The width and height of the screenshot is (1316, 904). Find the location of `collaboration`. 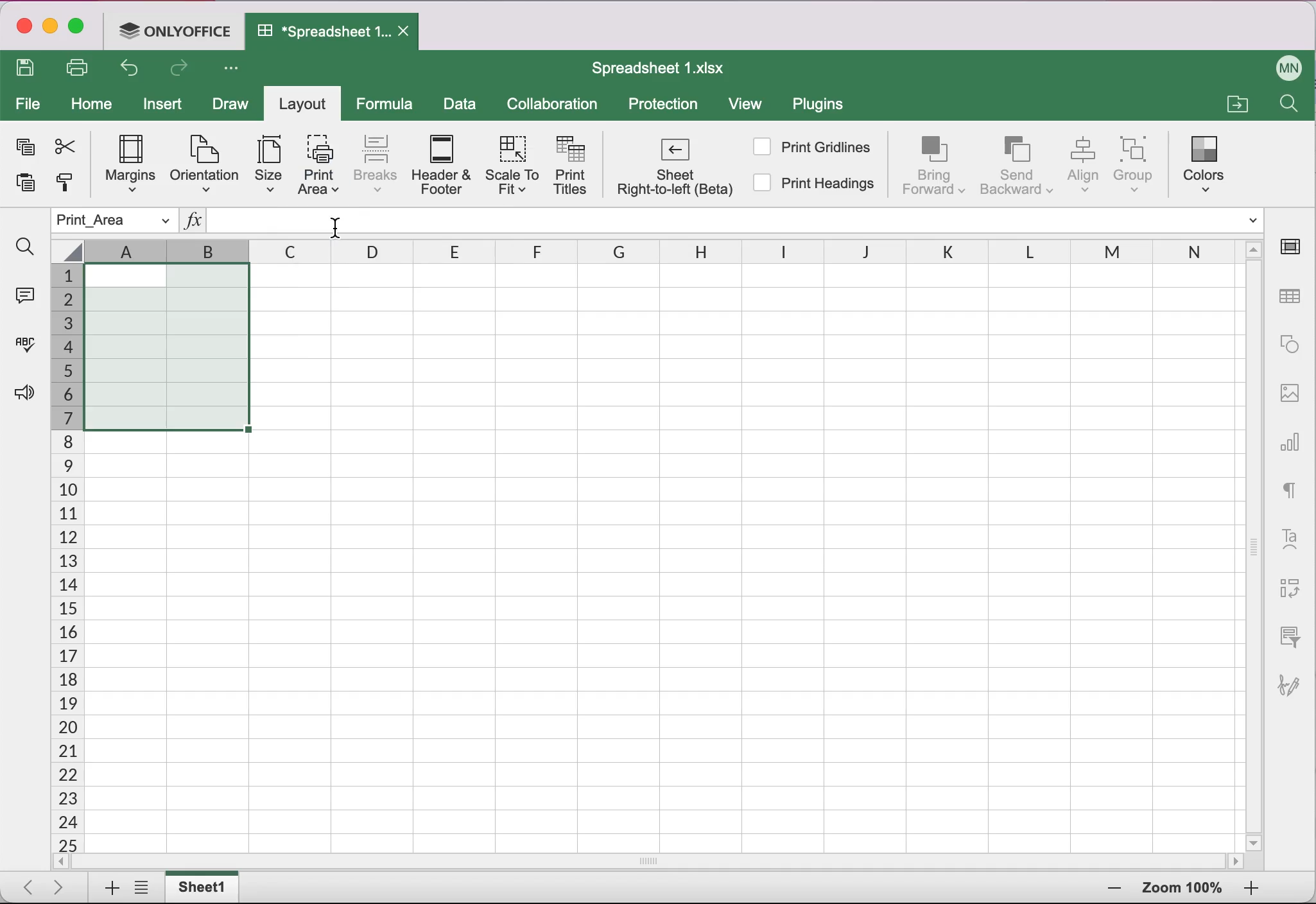

collaboration is located at coordinates (558, 105).